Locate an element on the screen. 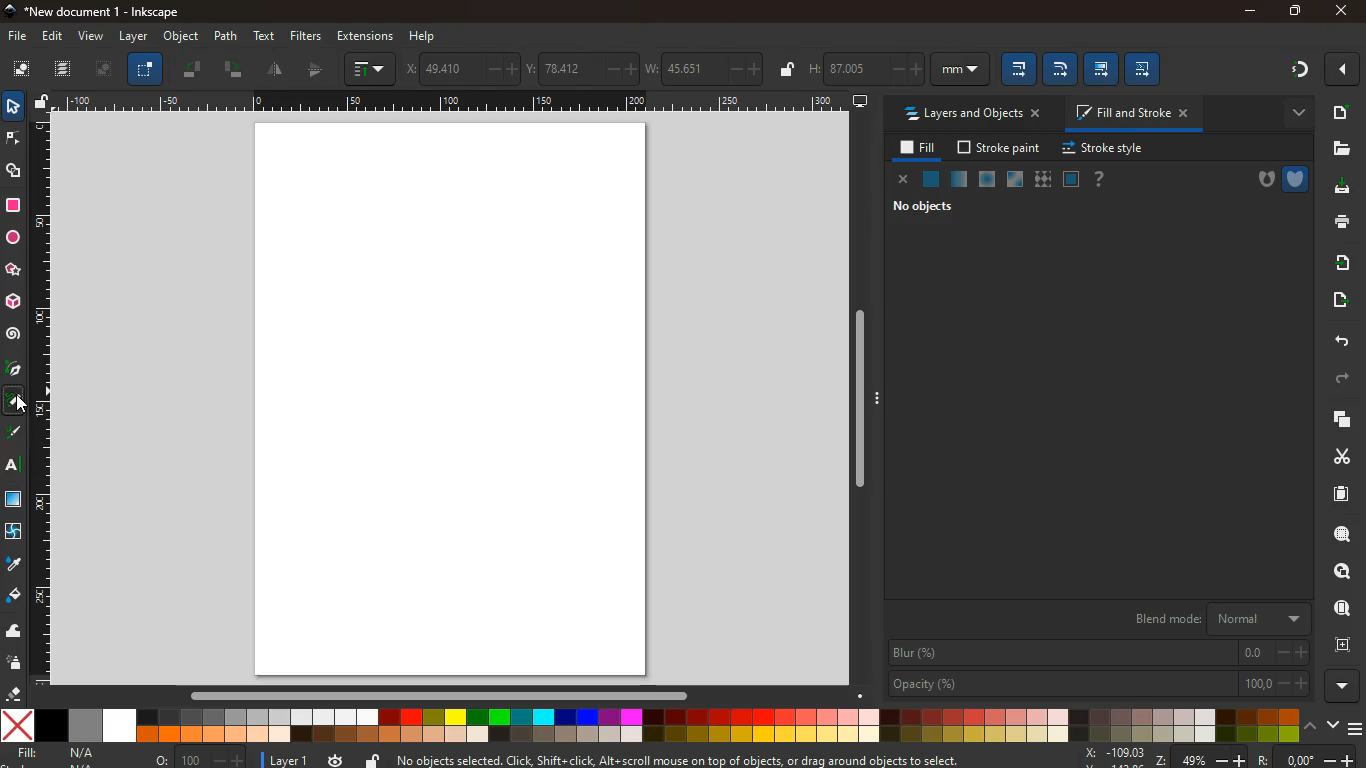  spray is located at coordinates (15, 664).